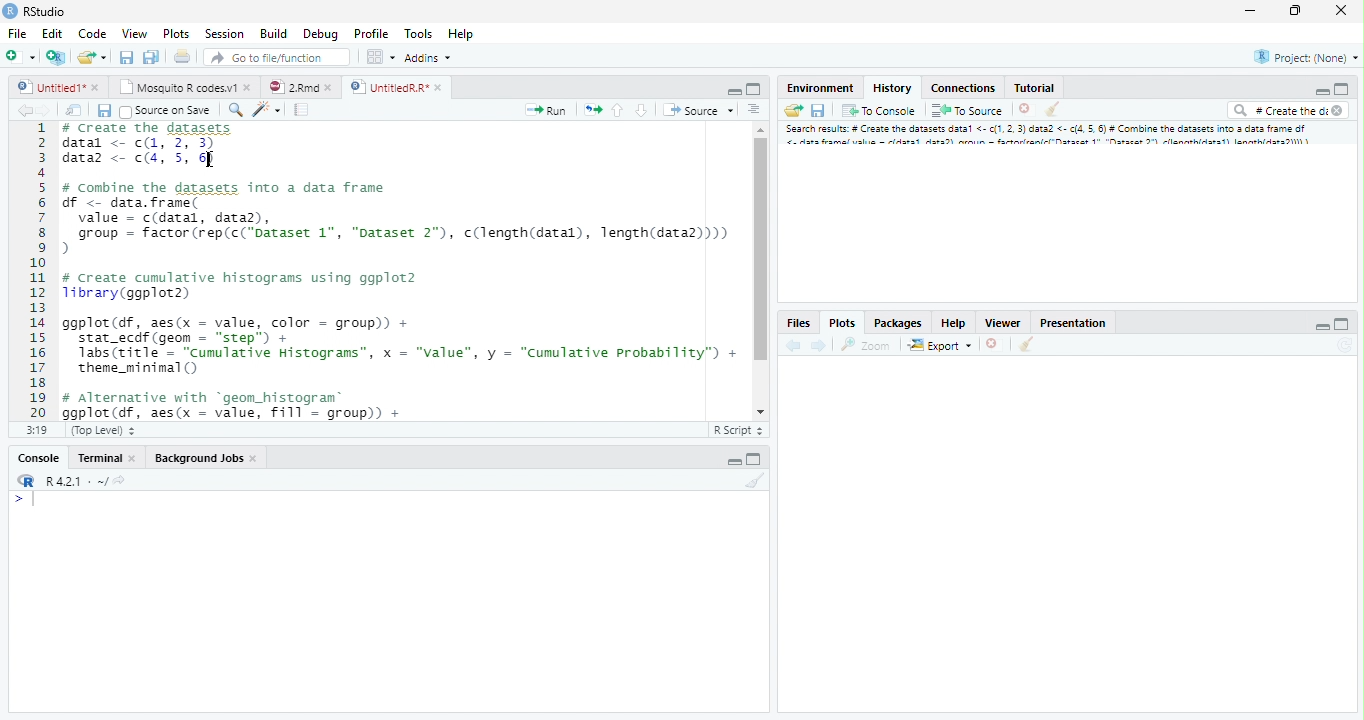  I want to click on Clear Console, so click(760, 483).